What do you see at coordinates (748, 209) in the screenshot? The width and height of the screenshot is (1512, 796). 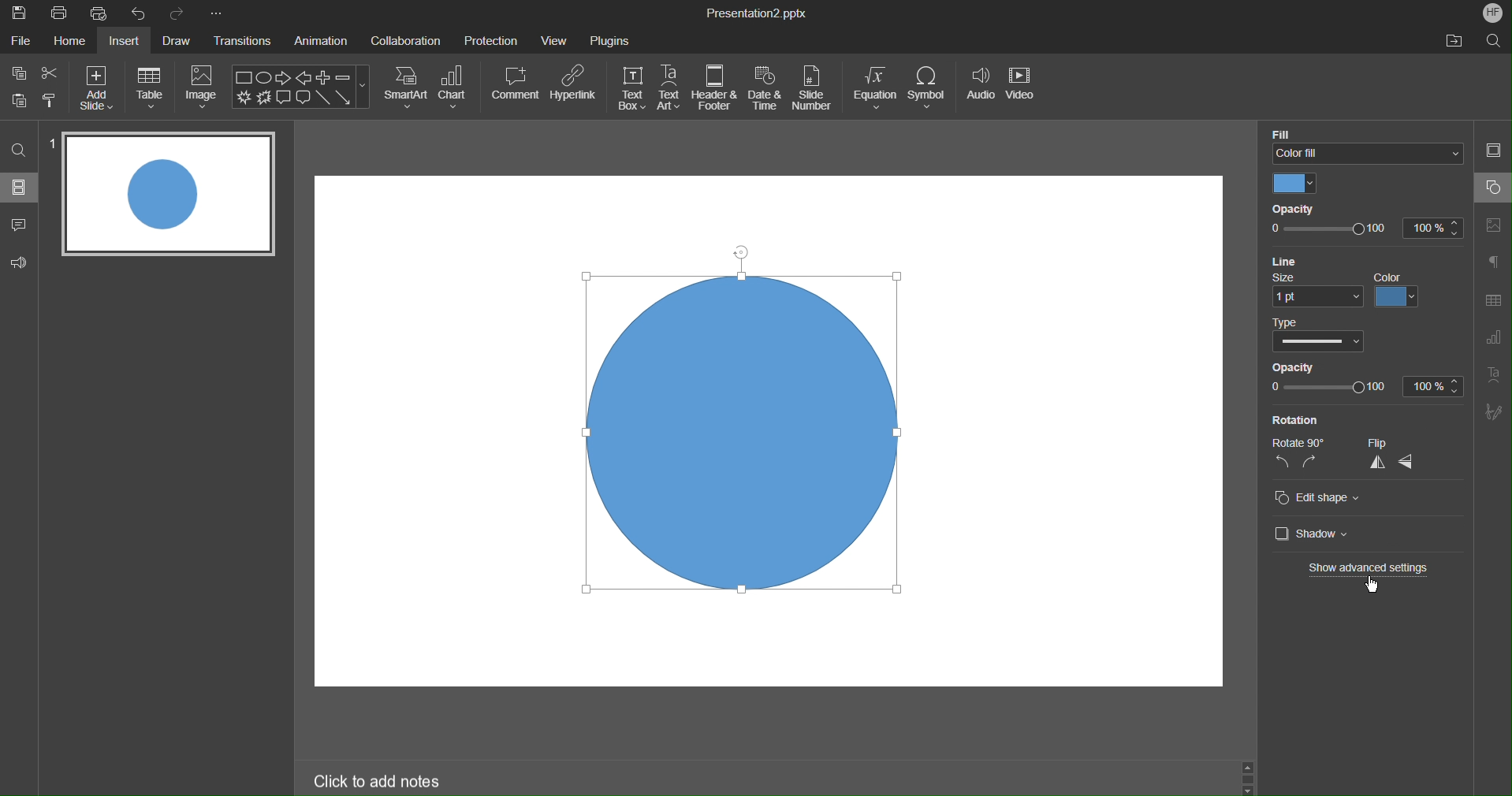 I see `workspace` at bounding box center [748, 209].